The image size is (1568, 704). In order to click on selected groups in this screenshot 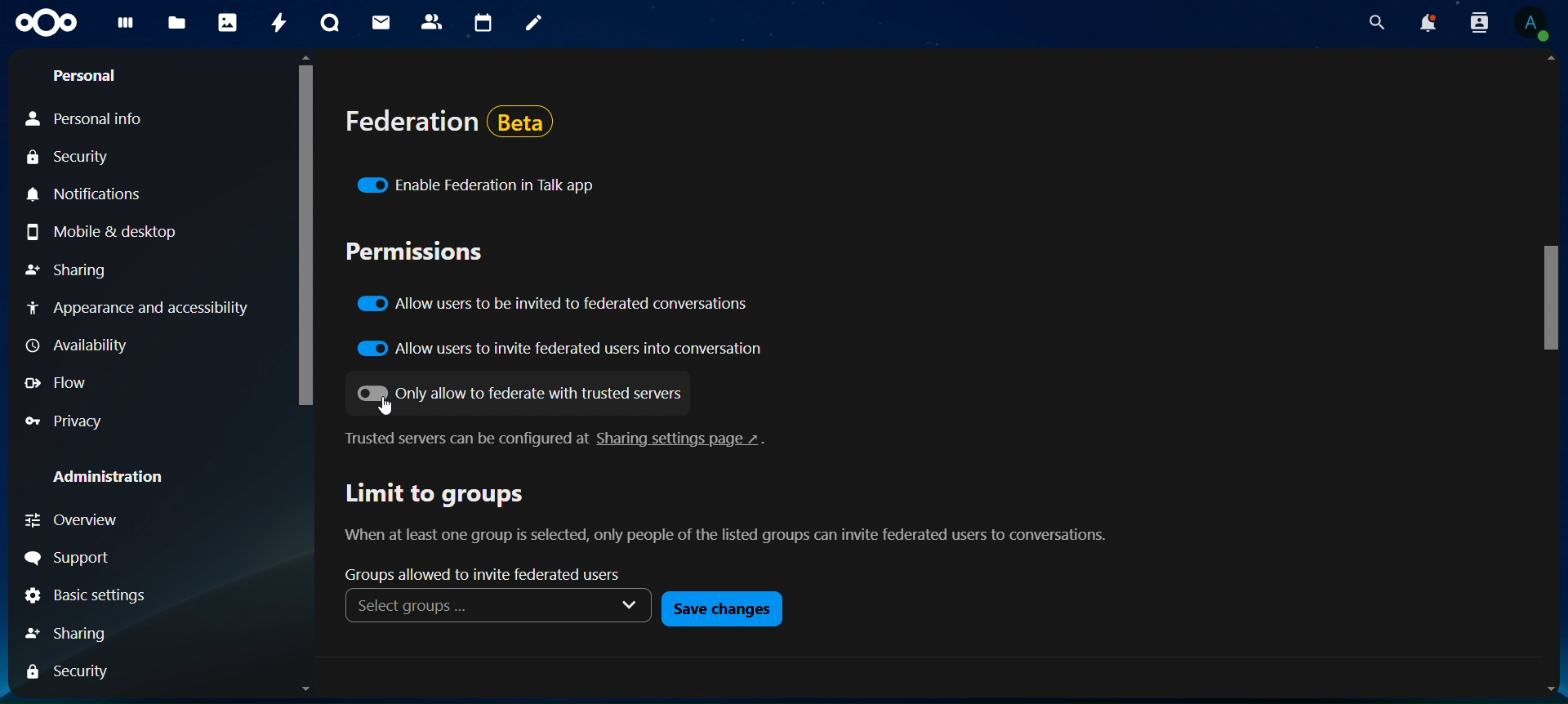, I will do `click(497, 608)`.